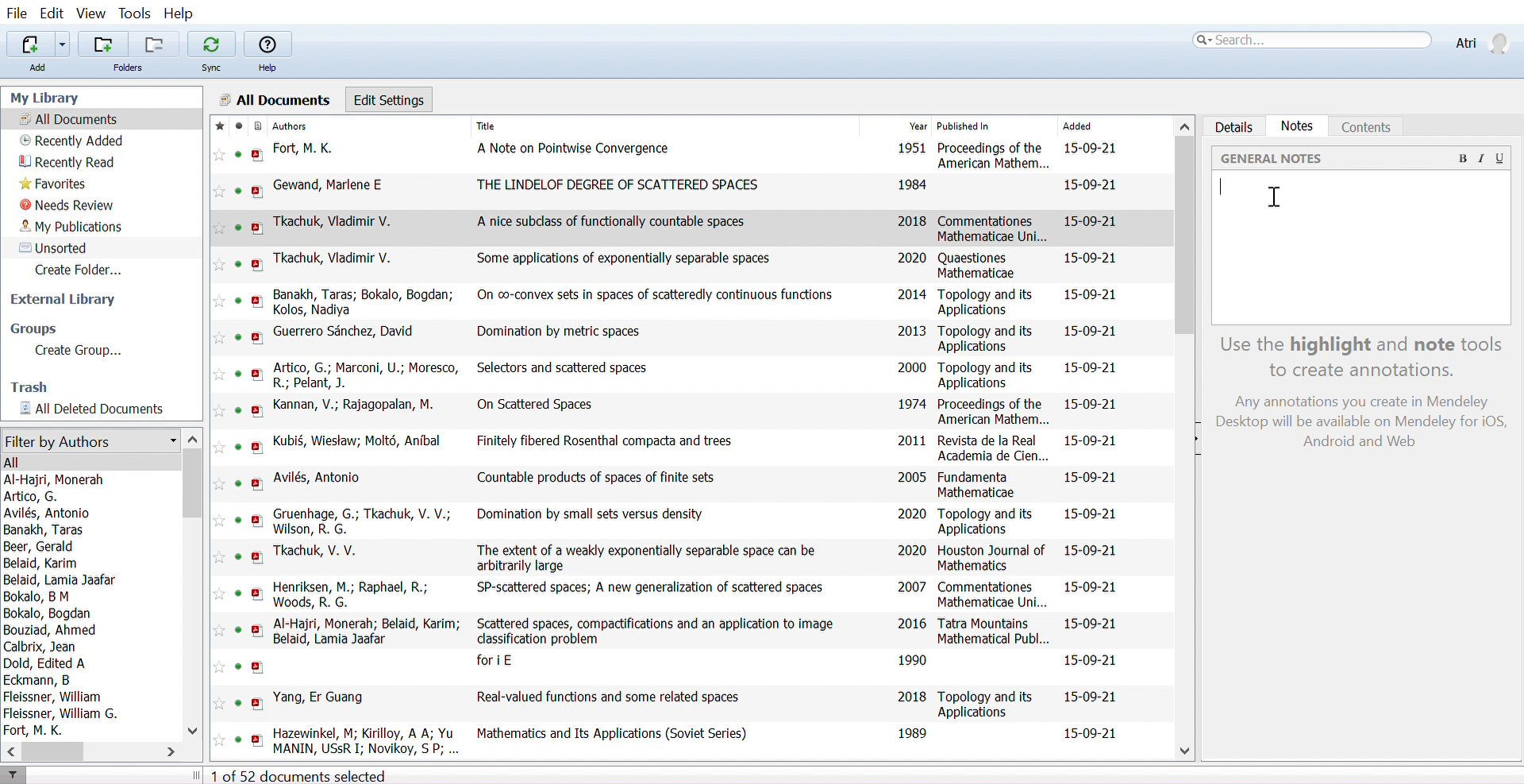 This screenshot has width=1524, height=784. I want to click on Belaid, Karim, so click(43, 564).